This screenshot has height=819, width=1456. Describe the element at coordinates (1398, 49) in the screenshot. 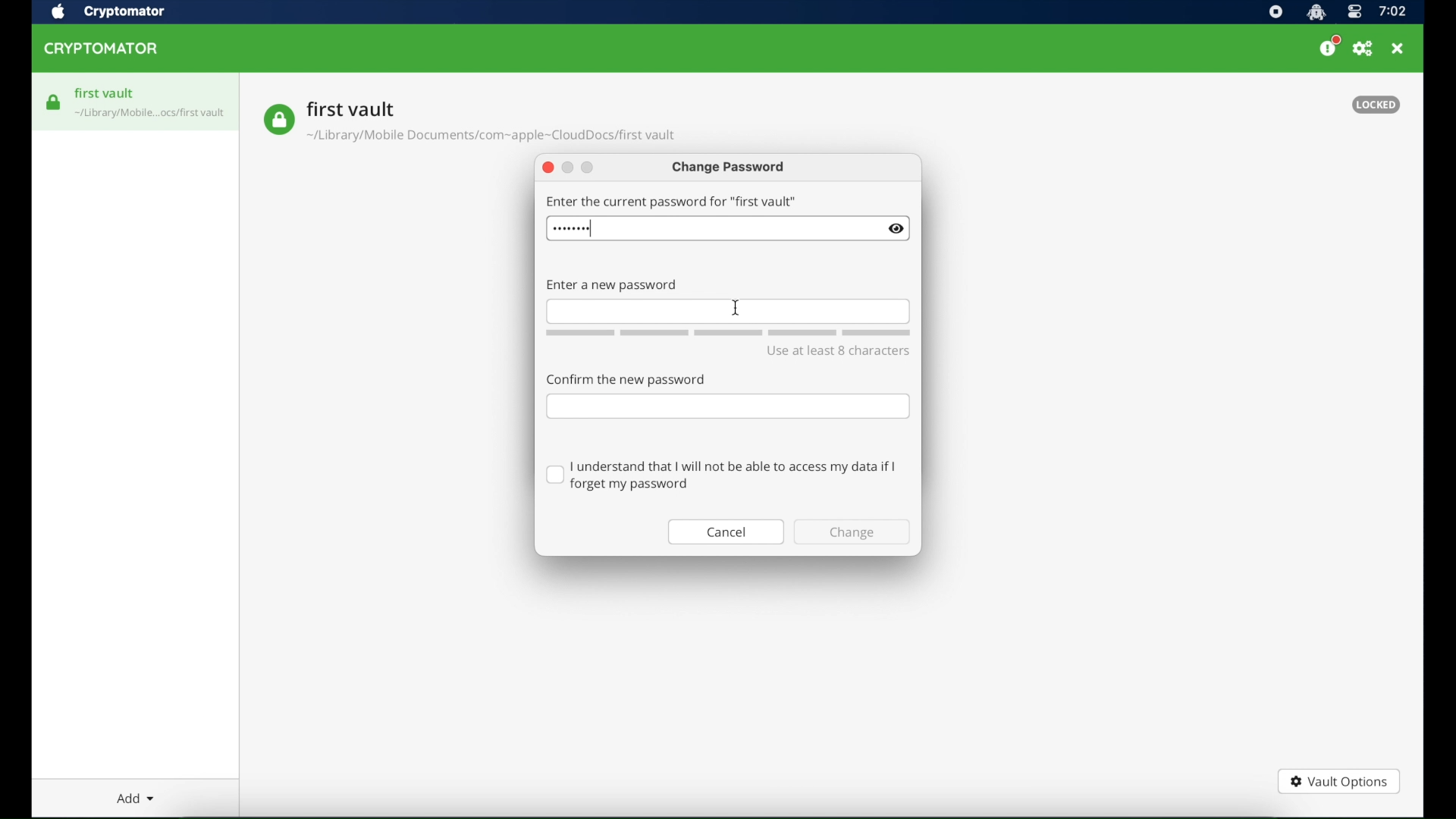

I see `close` at that location.